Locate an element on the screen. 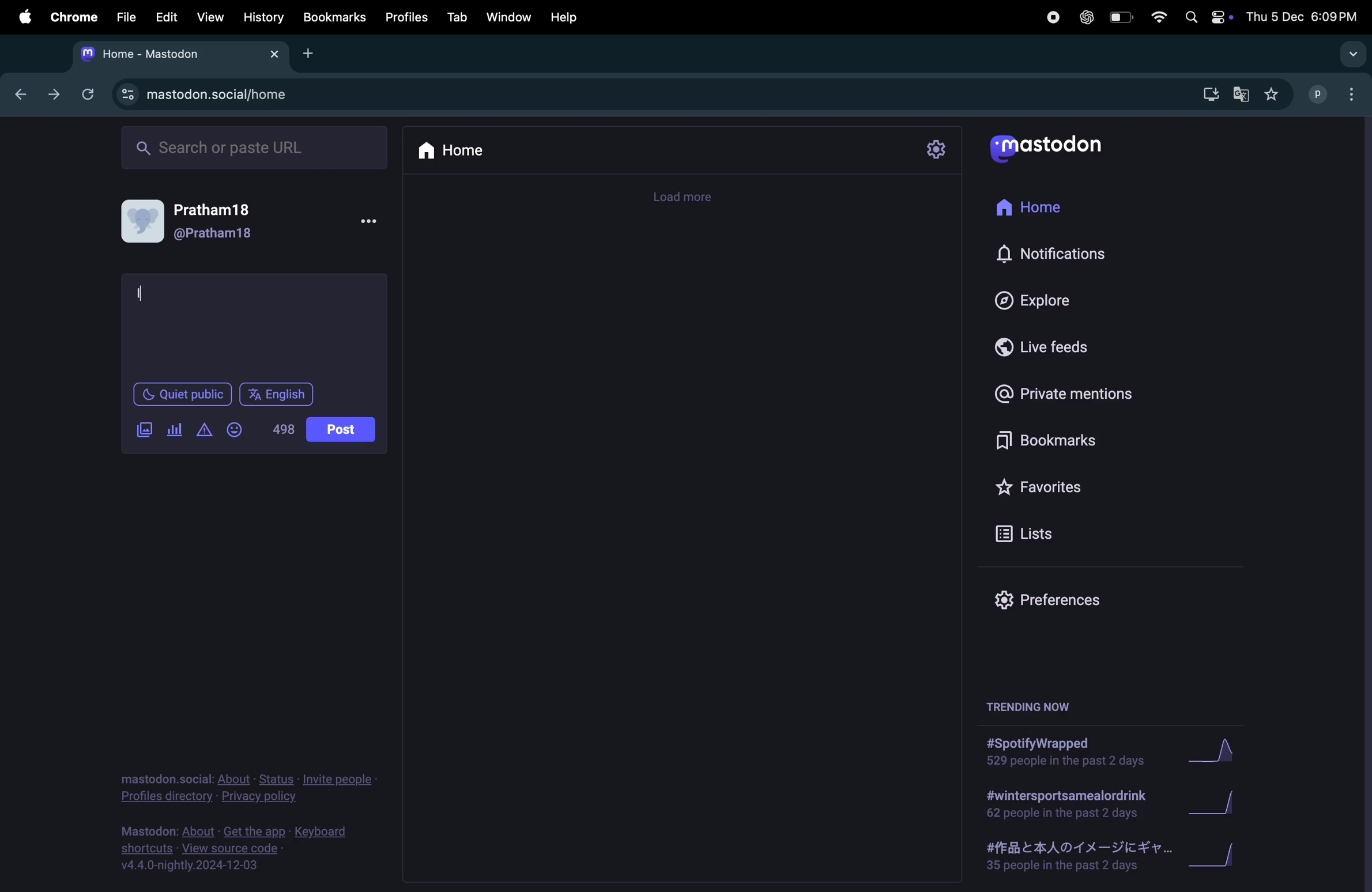  backward is located at coordinates (22, 95).